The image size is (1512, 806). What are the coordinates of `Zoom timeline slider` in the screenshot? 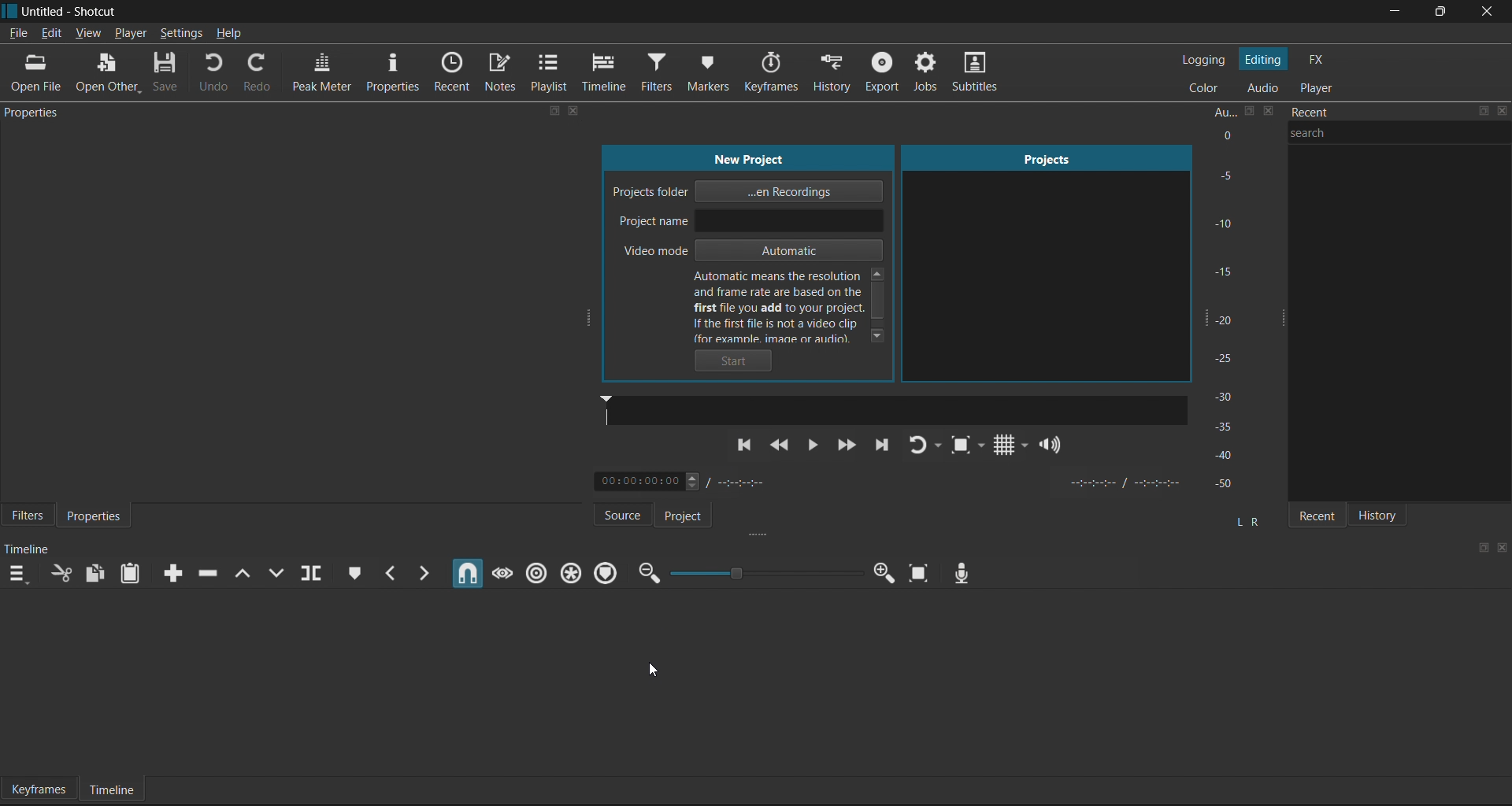 It's located at (762, 575).